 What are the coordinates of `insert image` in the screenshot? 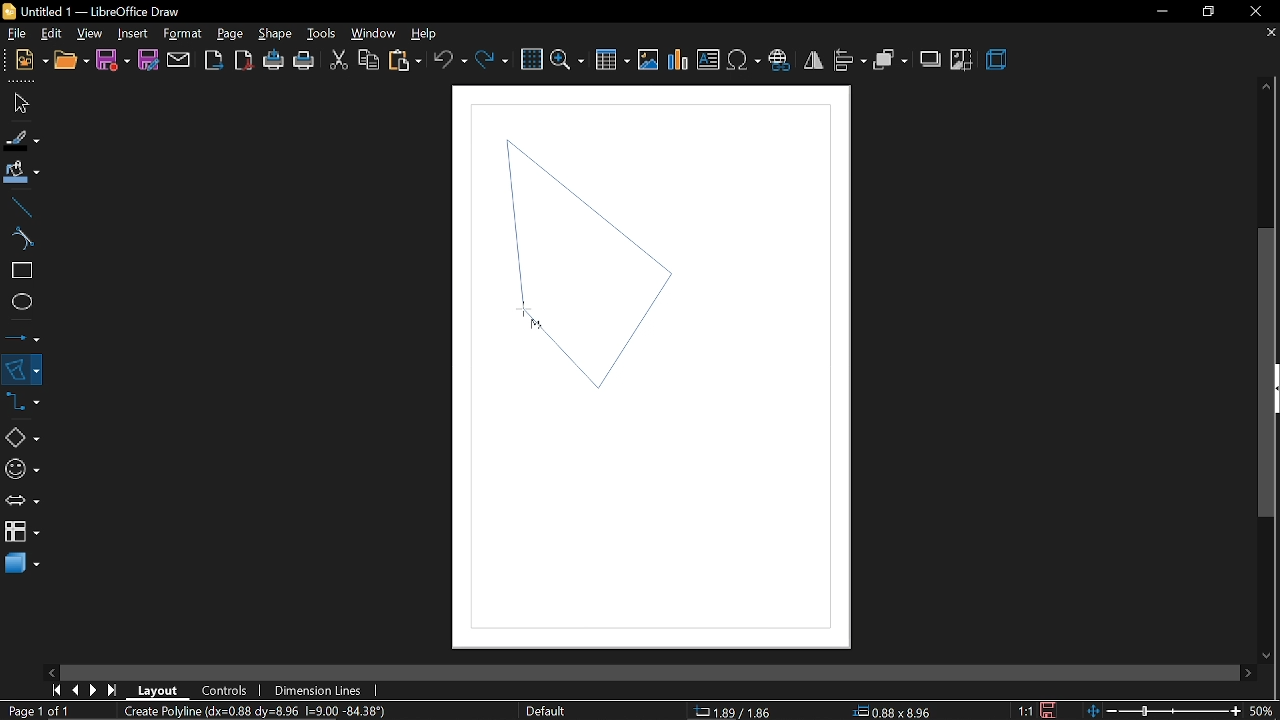 It's located at (650, 60).